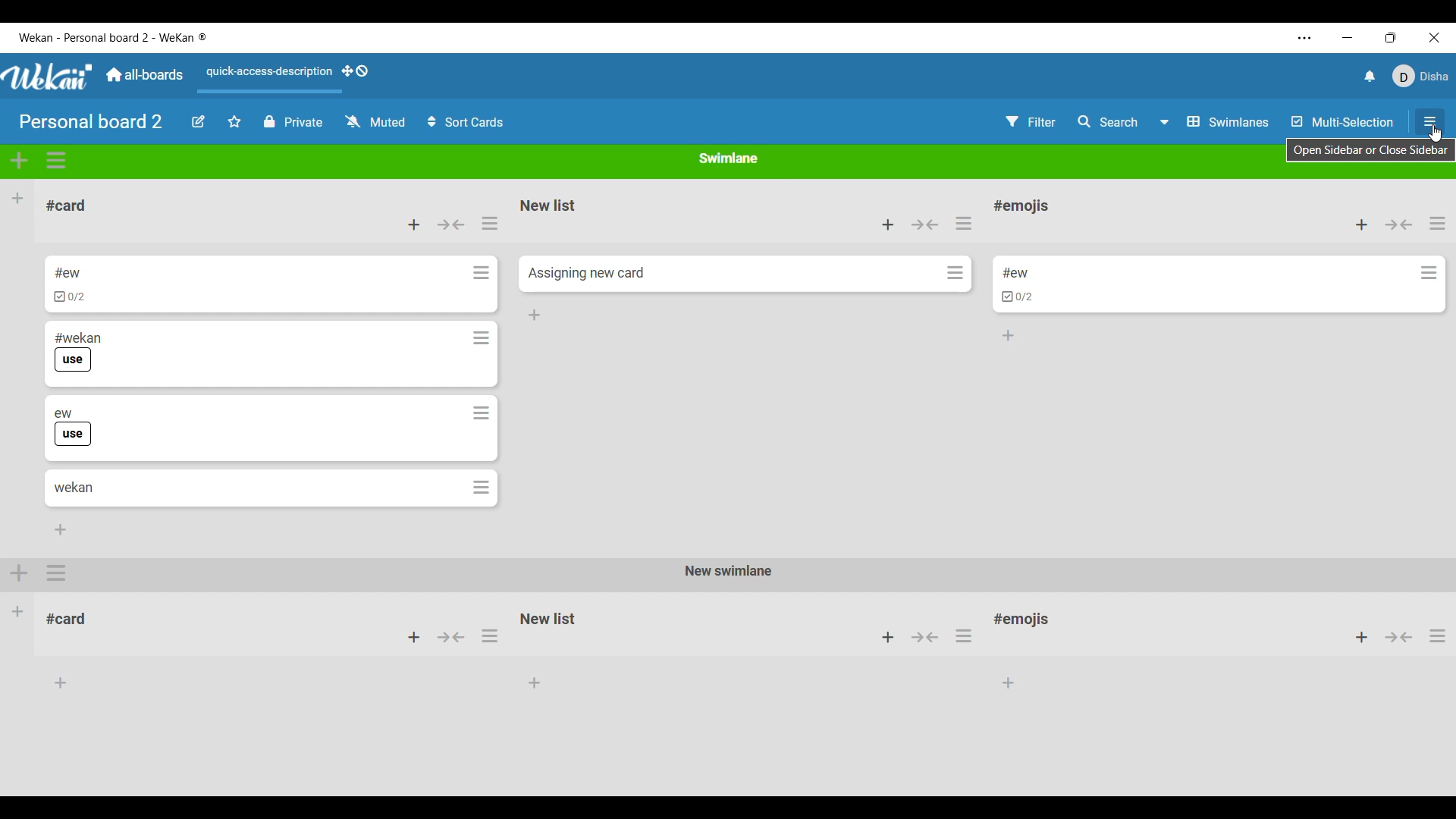  What do you see at coordinates (955, 272) in the screenshot?
I see `Card actions` at bounding box center [955, 272].